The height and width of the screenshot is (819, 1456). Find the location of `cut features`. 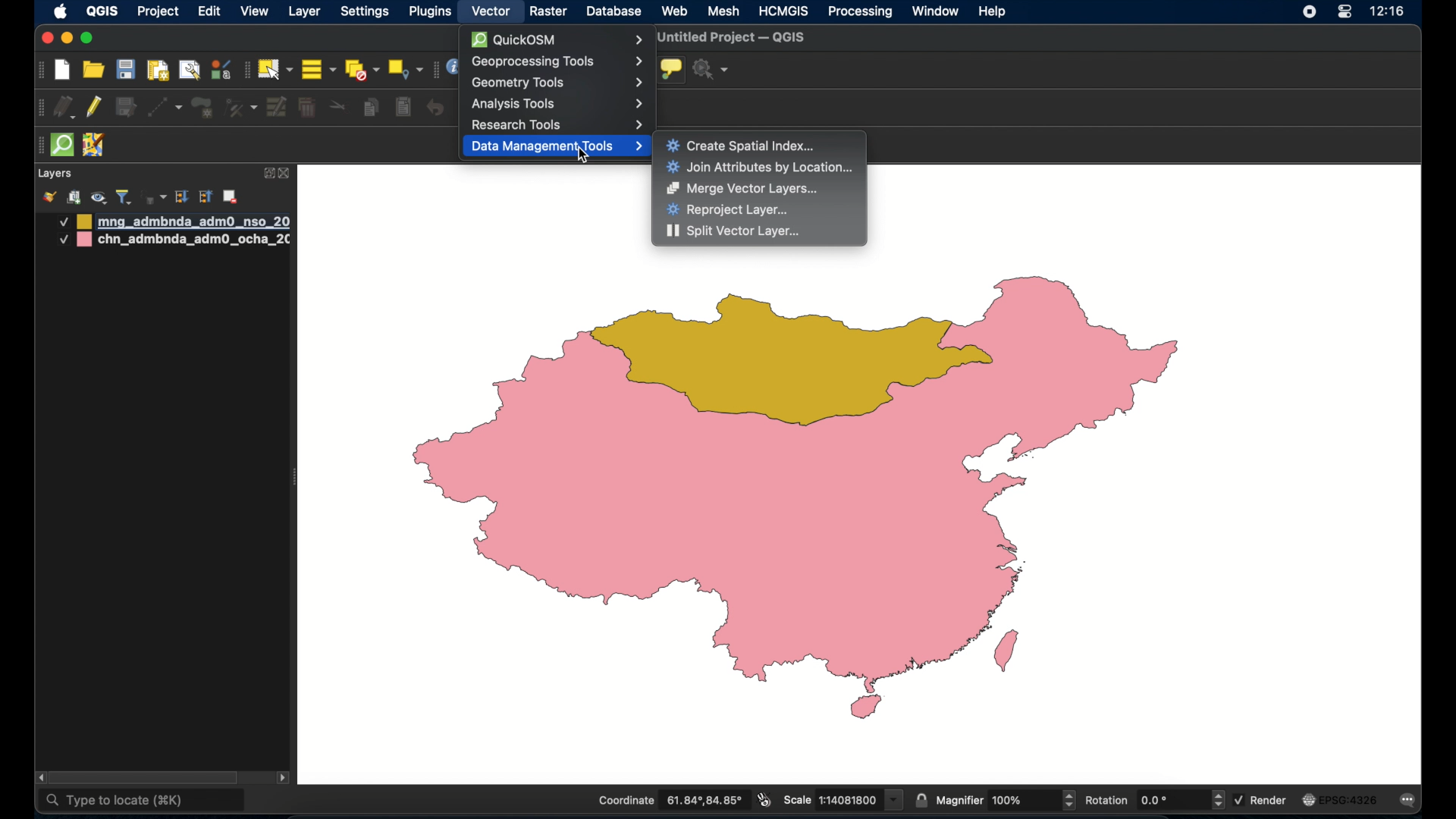

cut features is located at coordinates (339, 107).